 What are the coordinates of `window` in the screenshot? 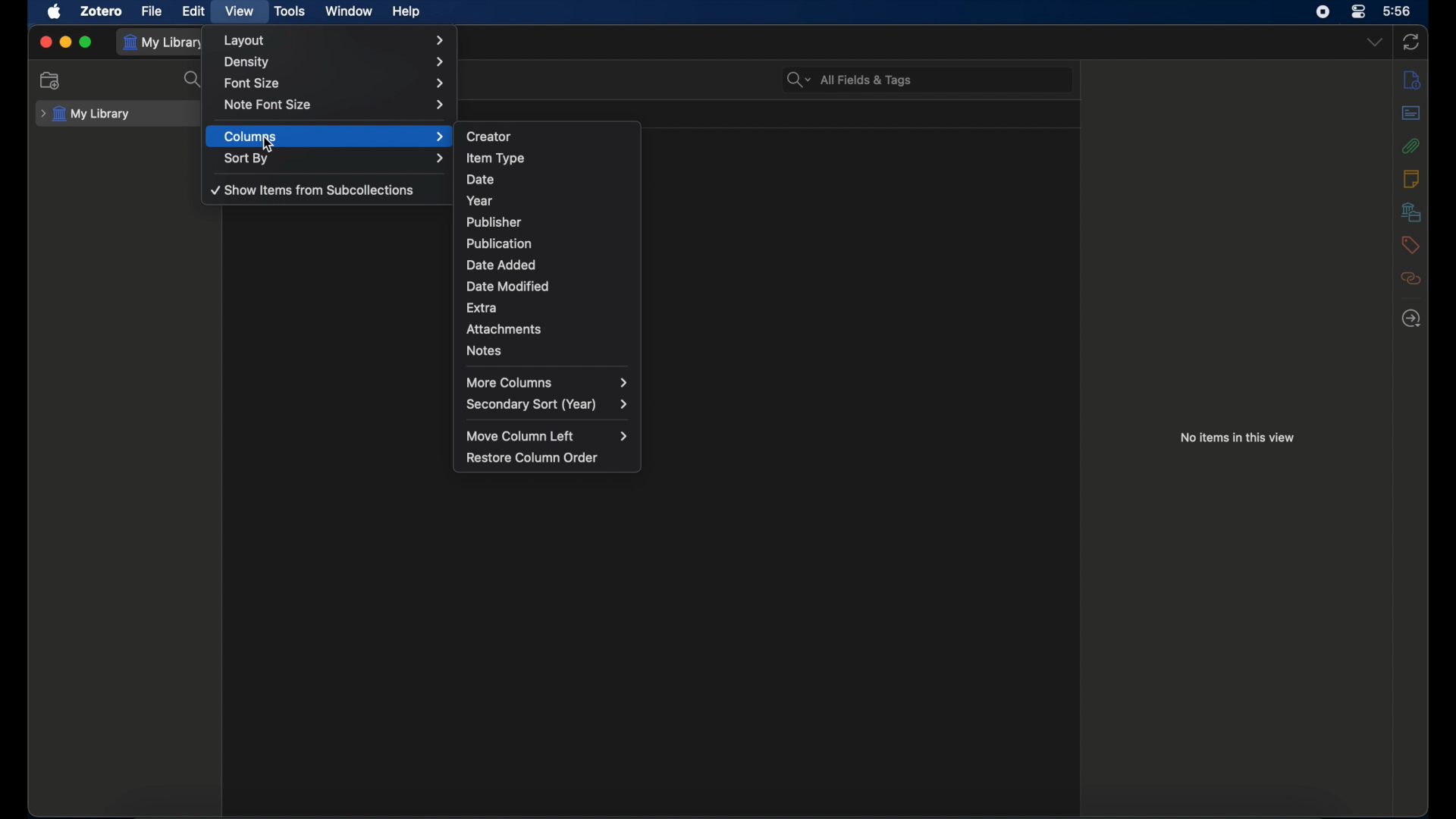 It's located at (349, 11).